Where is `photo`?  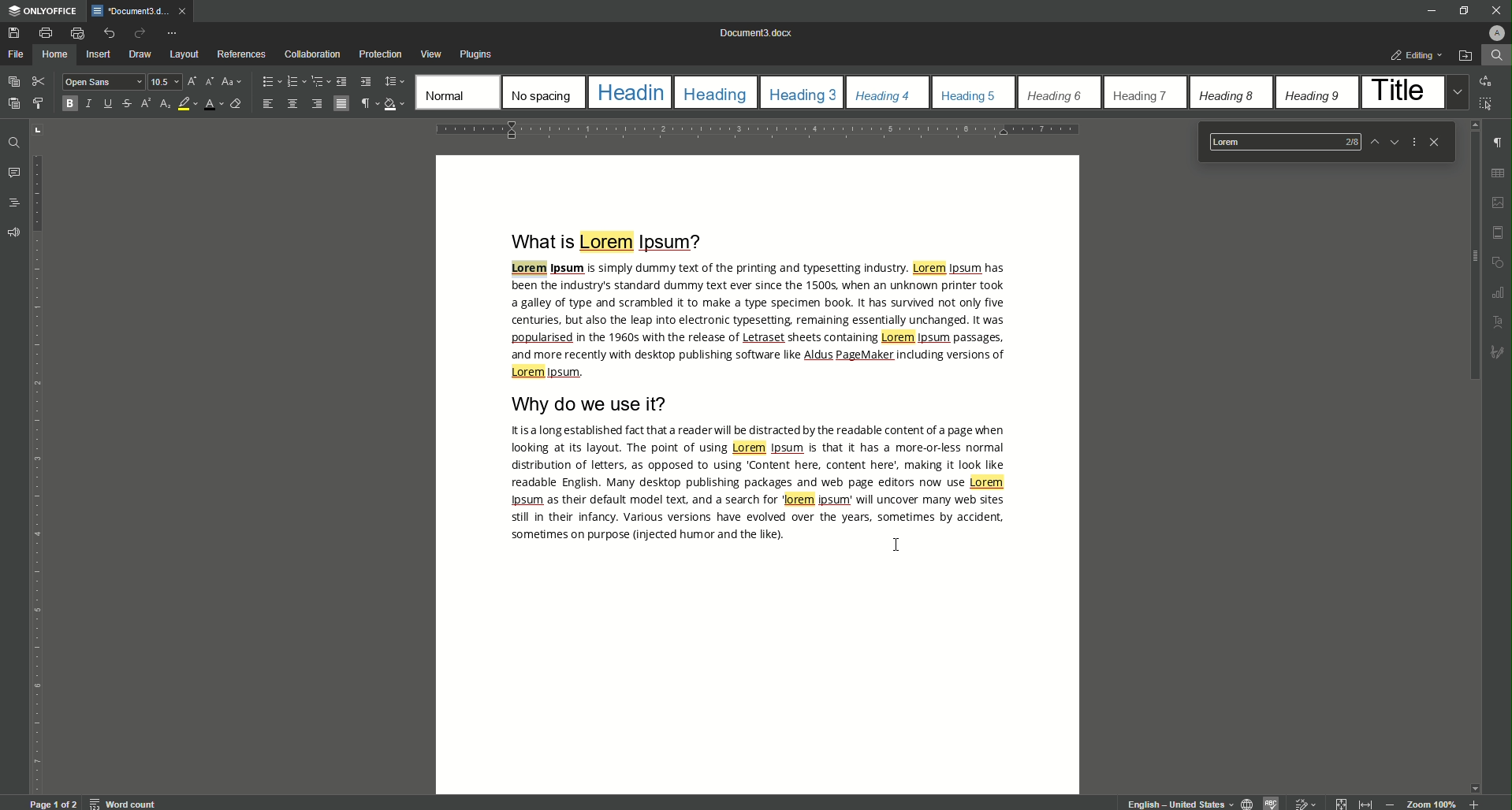 photo is located at coordinates (1499, 198).